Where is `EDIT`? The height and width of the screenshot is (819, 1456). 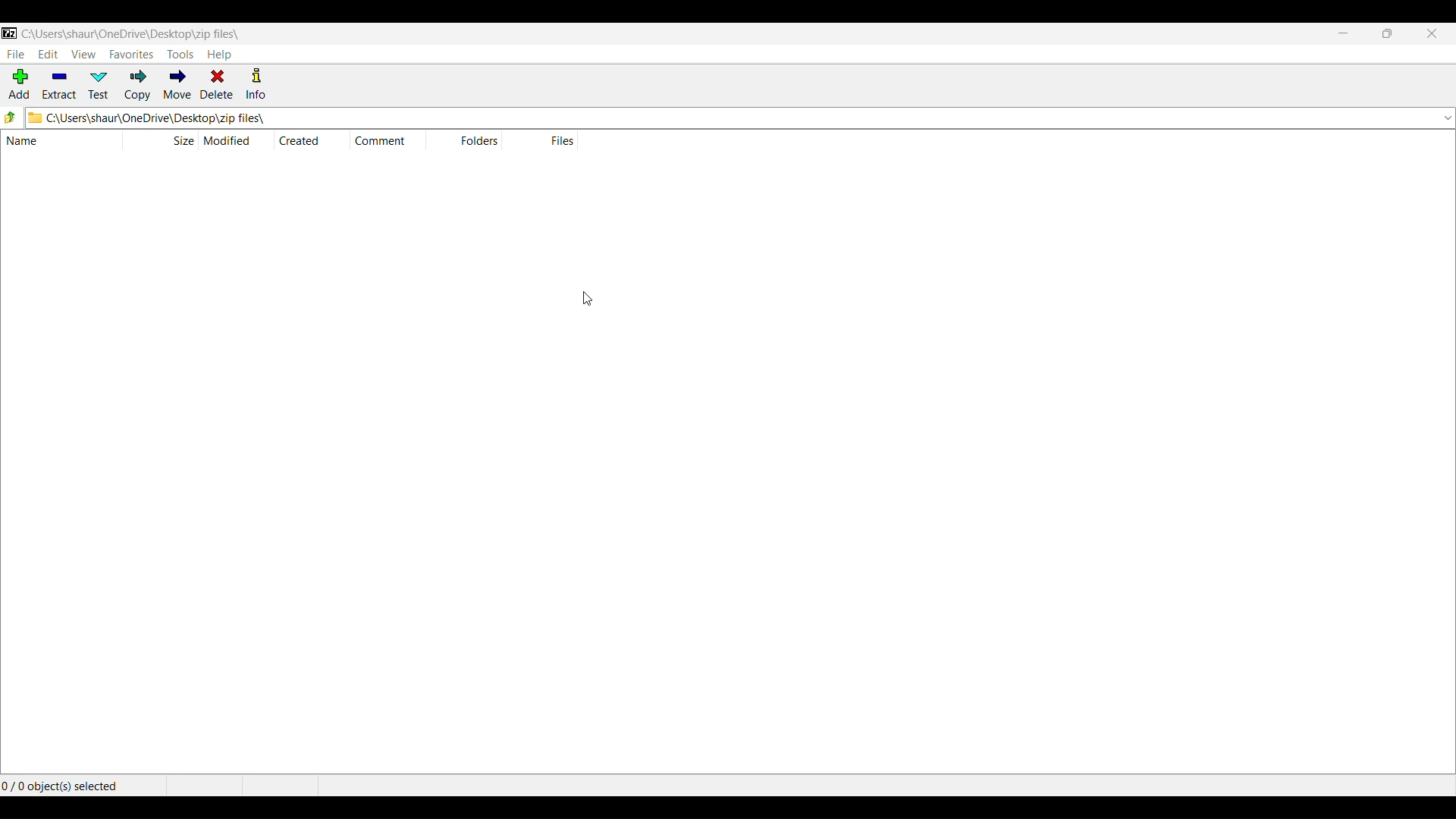 EDIT is located at coordinates (48, 55).